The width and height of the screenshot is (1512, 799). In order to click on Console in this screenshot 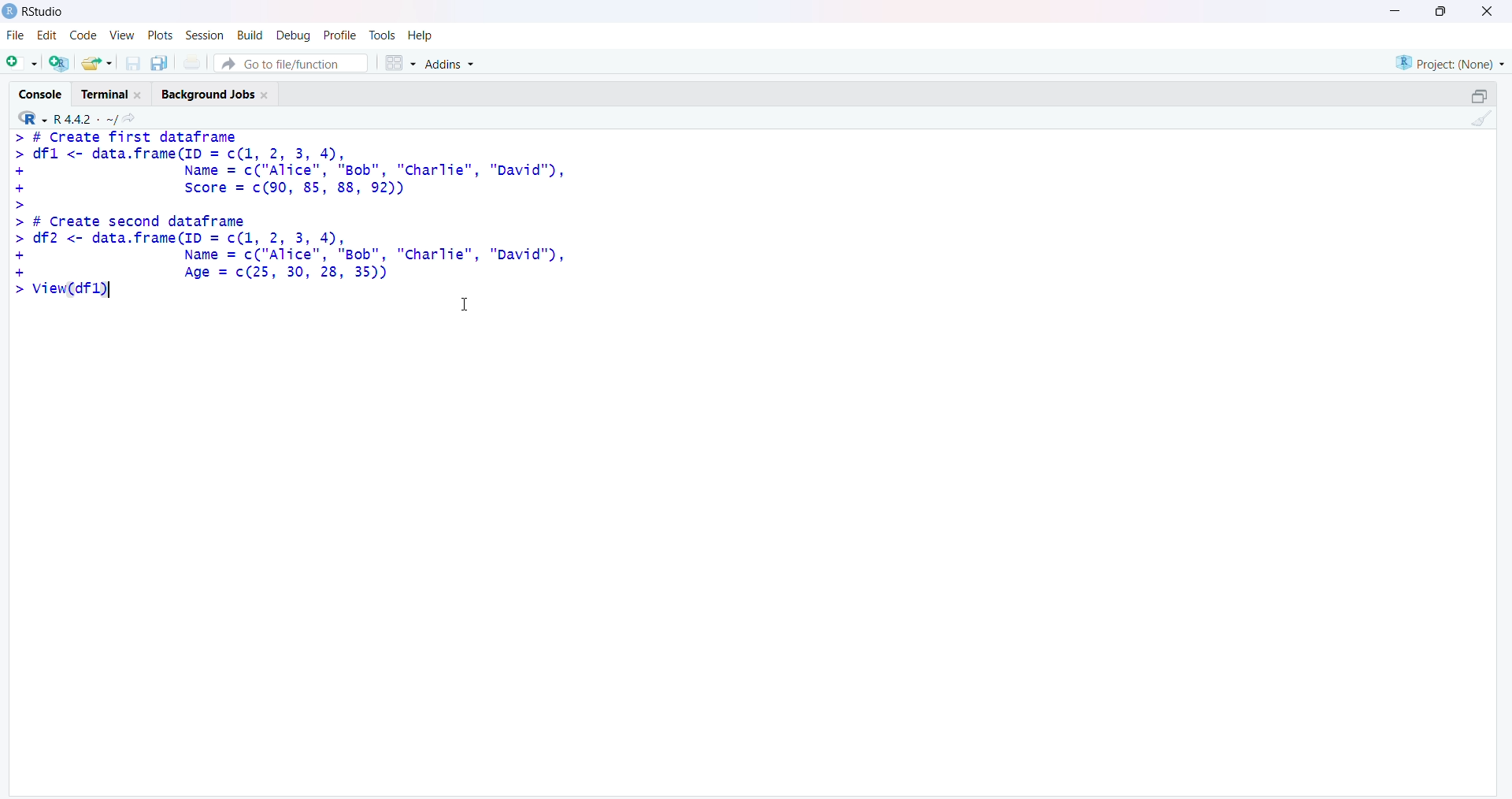, I will do `click(41, 95)`.